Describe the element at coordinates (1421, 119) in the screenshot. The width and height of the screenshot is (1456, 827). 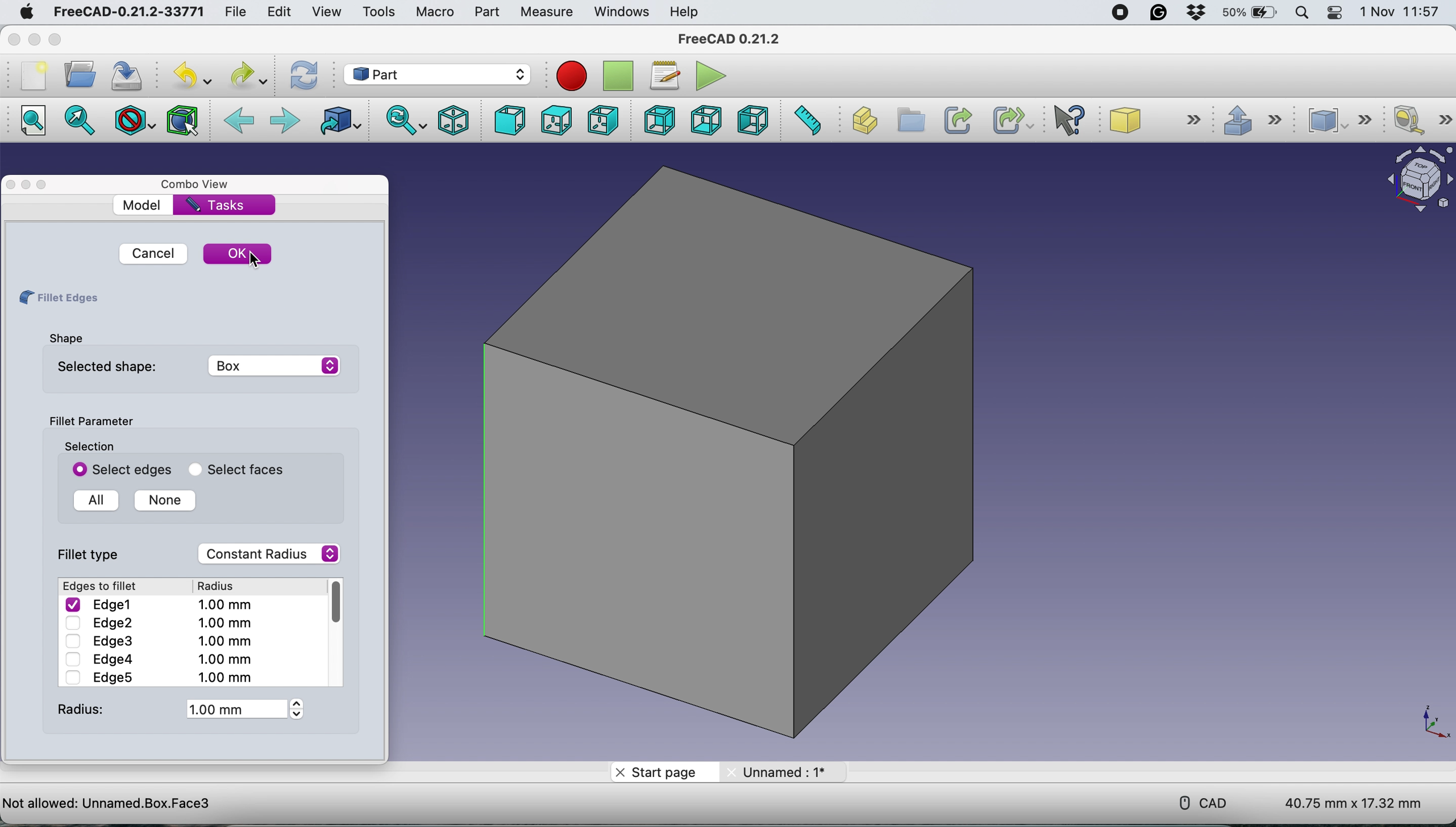
I see `mesure linear` at that location.